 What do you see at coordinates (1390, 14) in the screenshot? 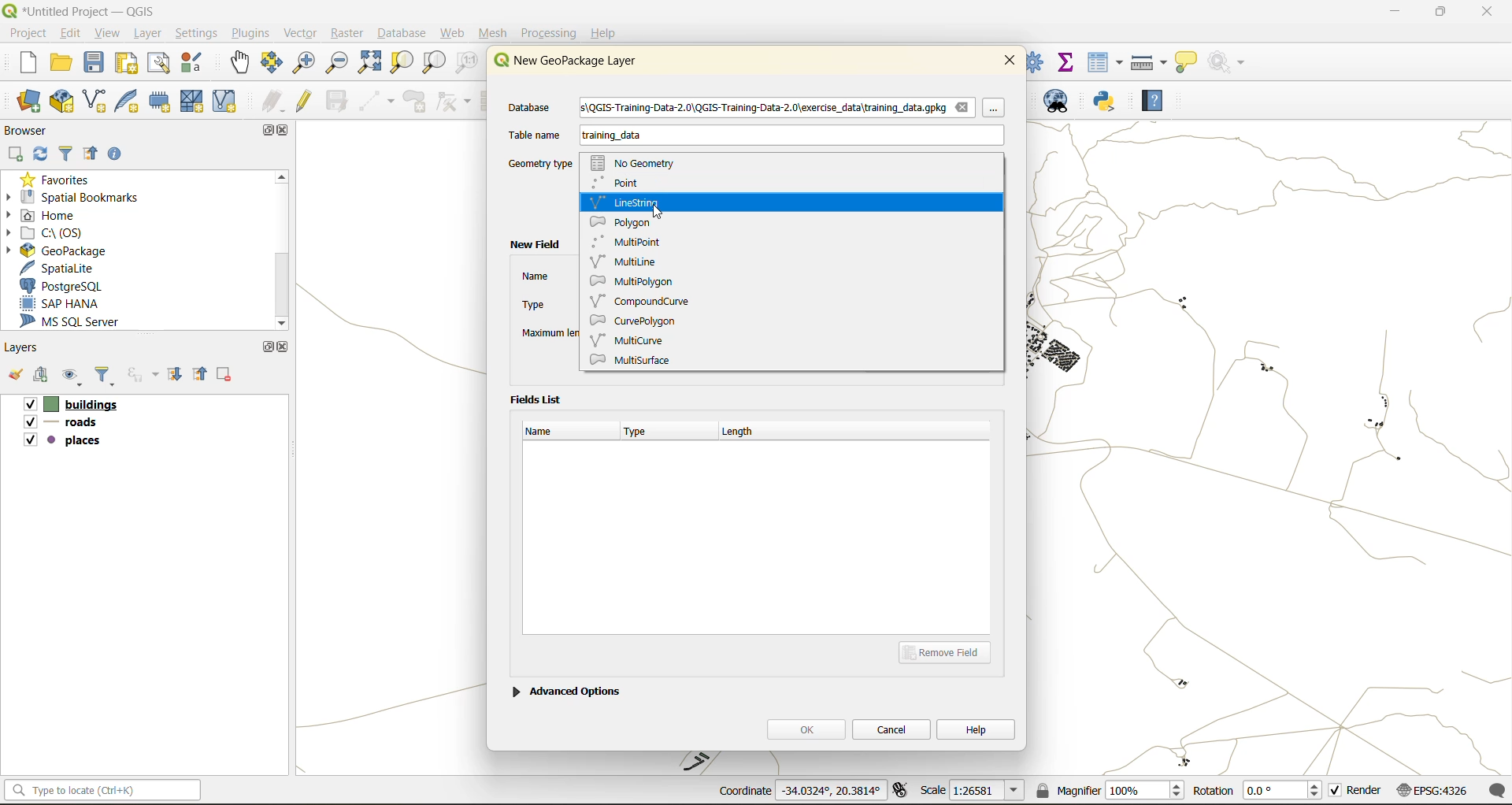
I see `minimize` at bounding box center [1390, 14].